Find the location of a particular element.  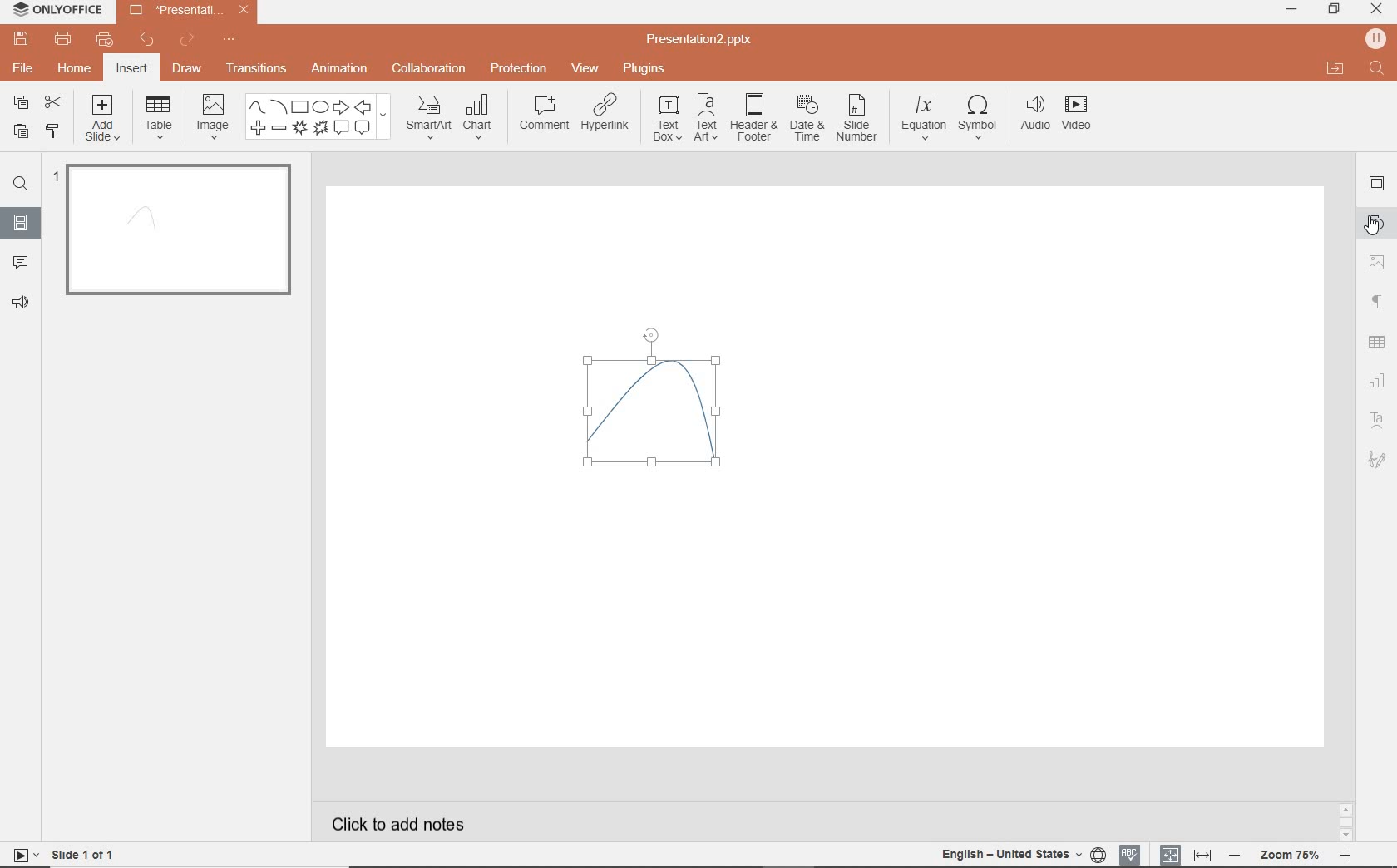

COLLABORATION is located at coordinates (429, 67).